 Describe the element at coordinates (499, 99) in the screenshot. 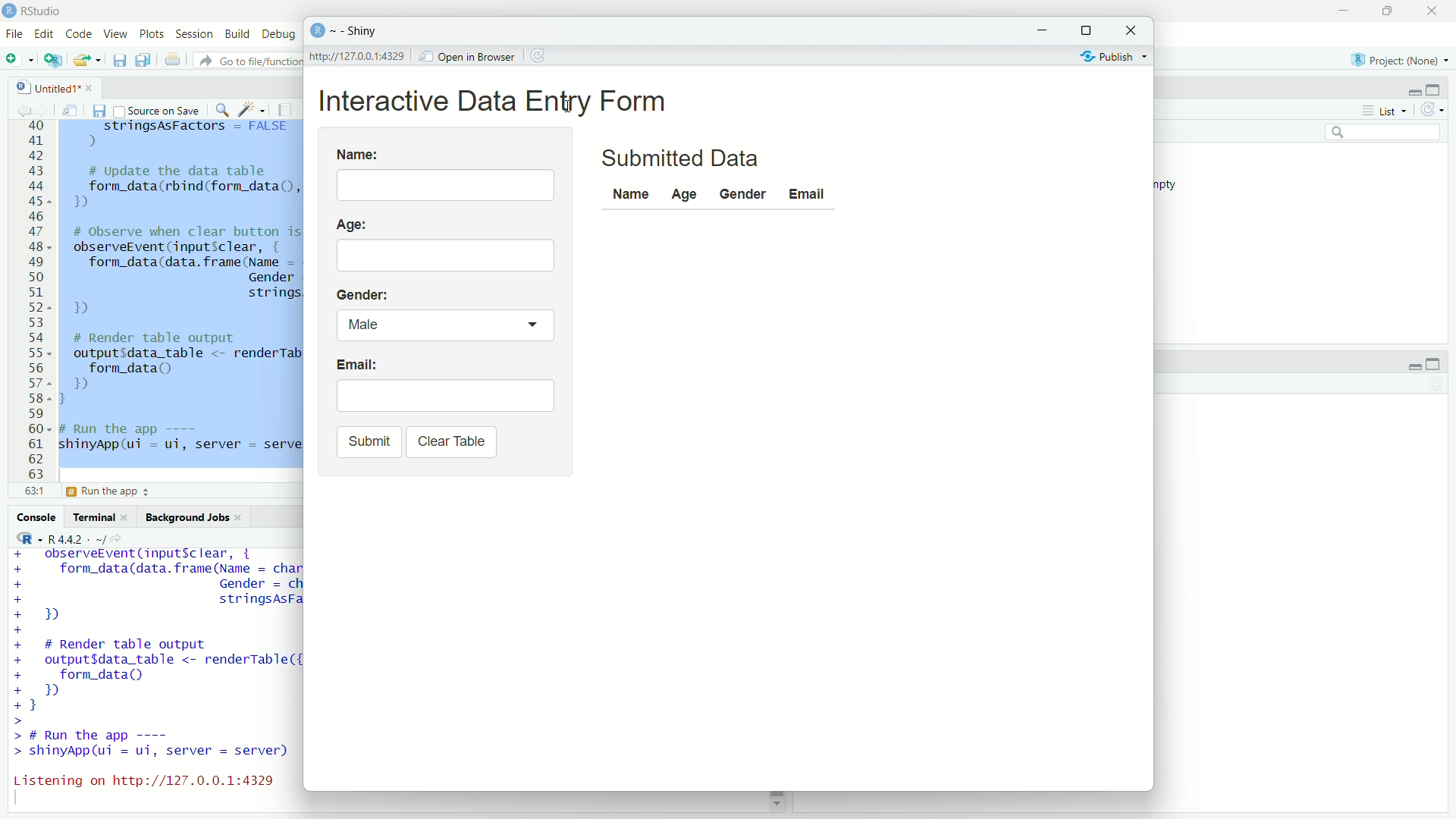

I see `Interactive Data Entry Form` at that location.